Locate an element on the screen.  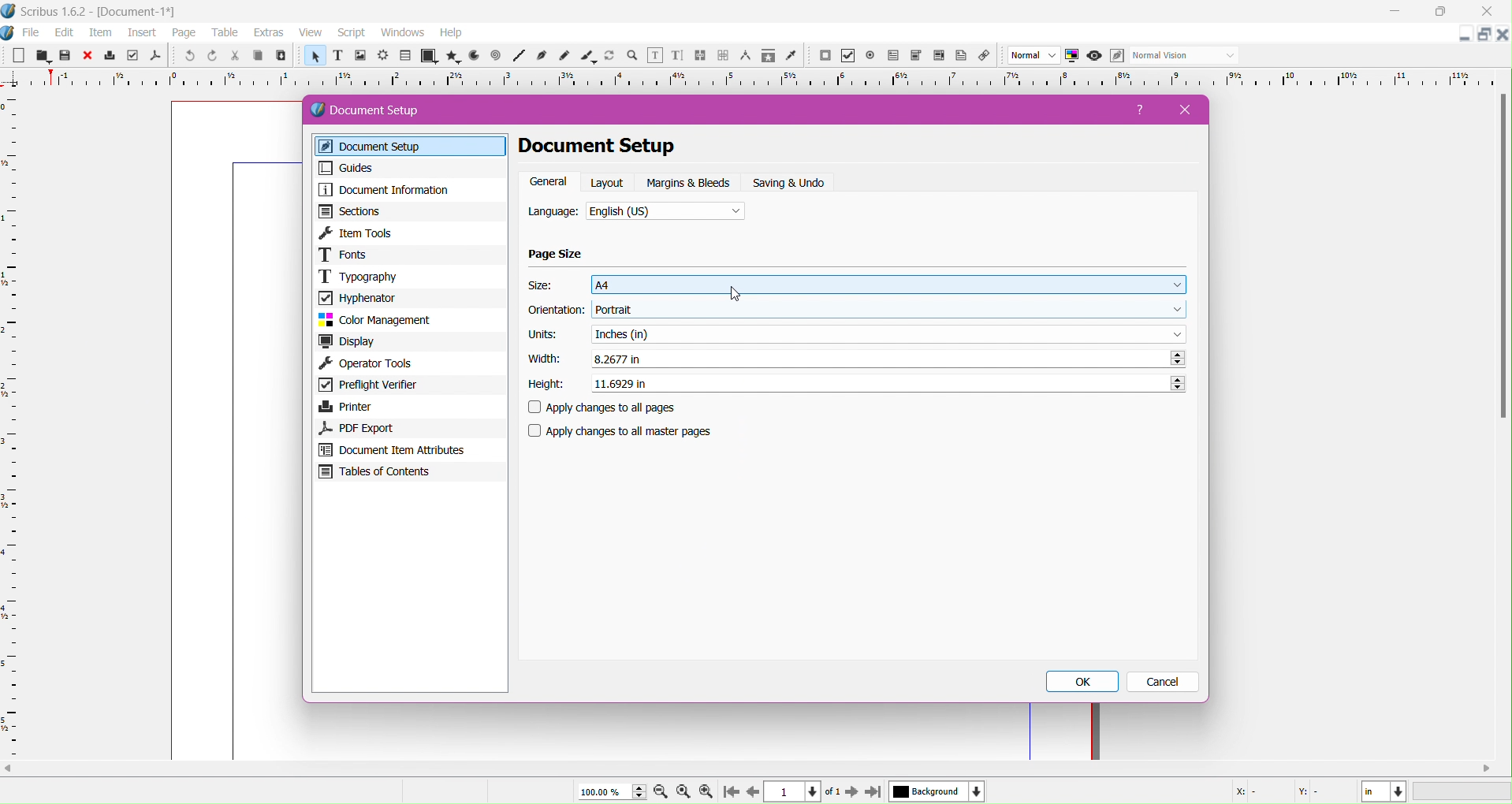
pdf checkbox is located at coordinates (847, 56).